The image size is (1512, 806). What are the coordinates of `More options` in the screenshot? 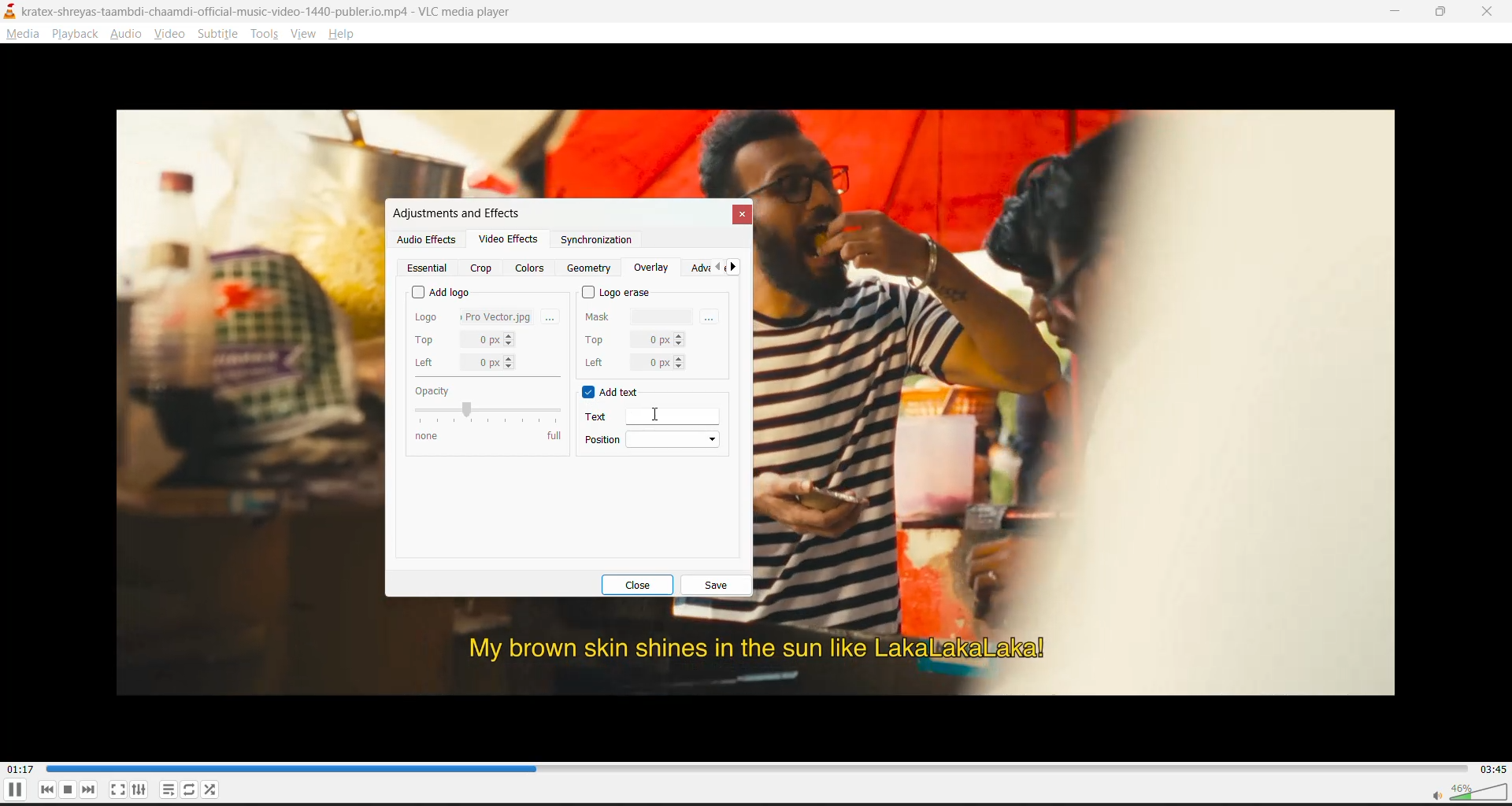 It's located at (554, 316).